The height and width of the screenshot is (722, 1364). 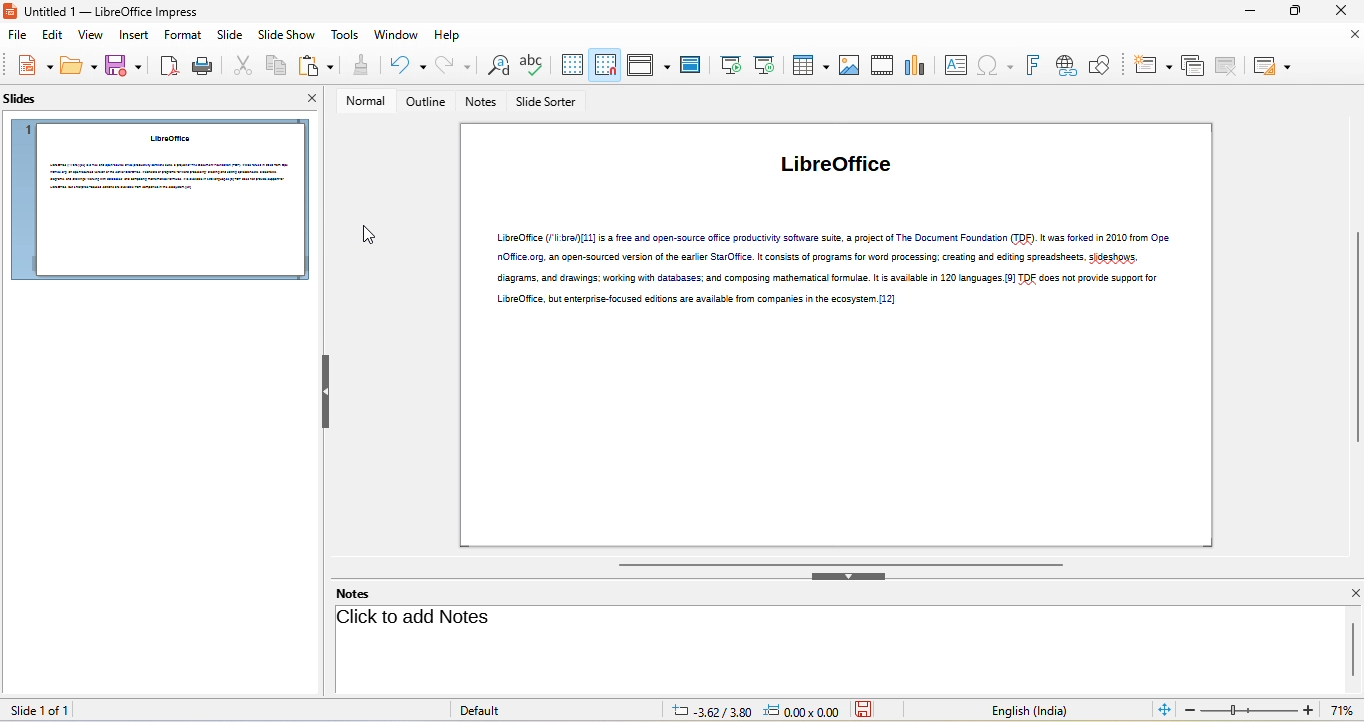 I want to click on edit zoom, so click(x=1249, y=711).